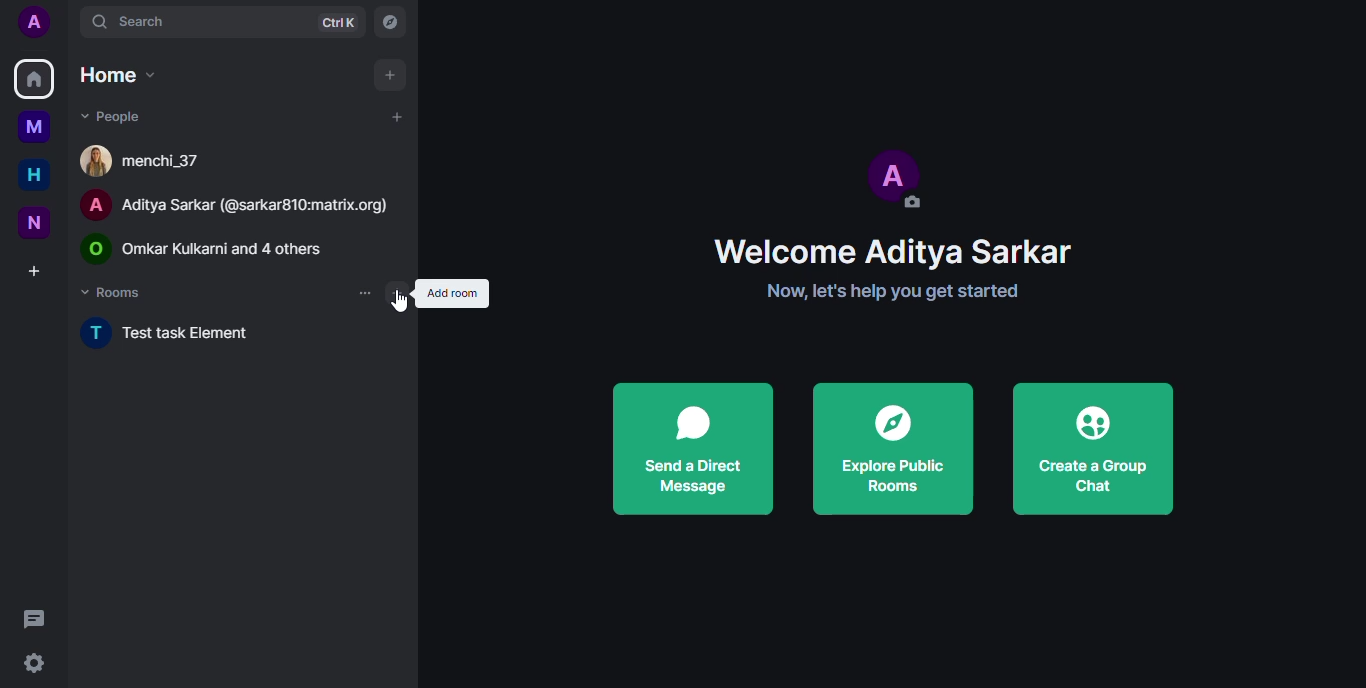 The image size is (1366, 688). Describe the element at coordinates (391, 73) in the screenshot. I see `add` at that location.